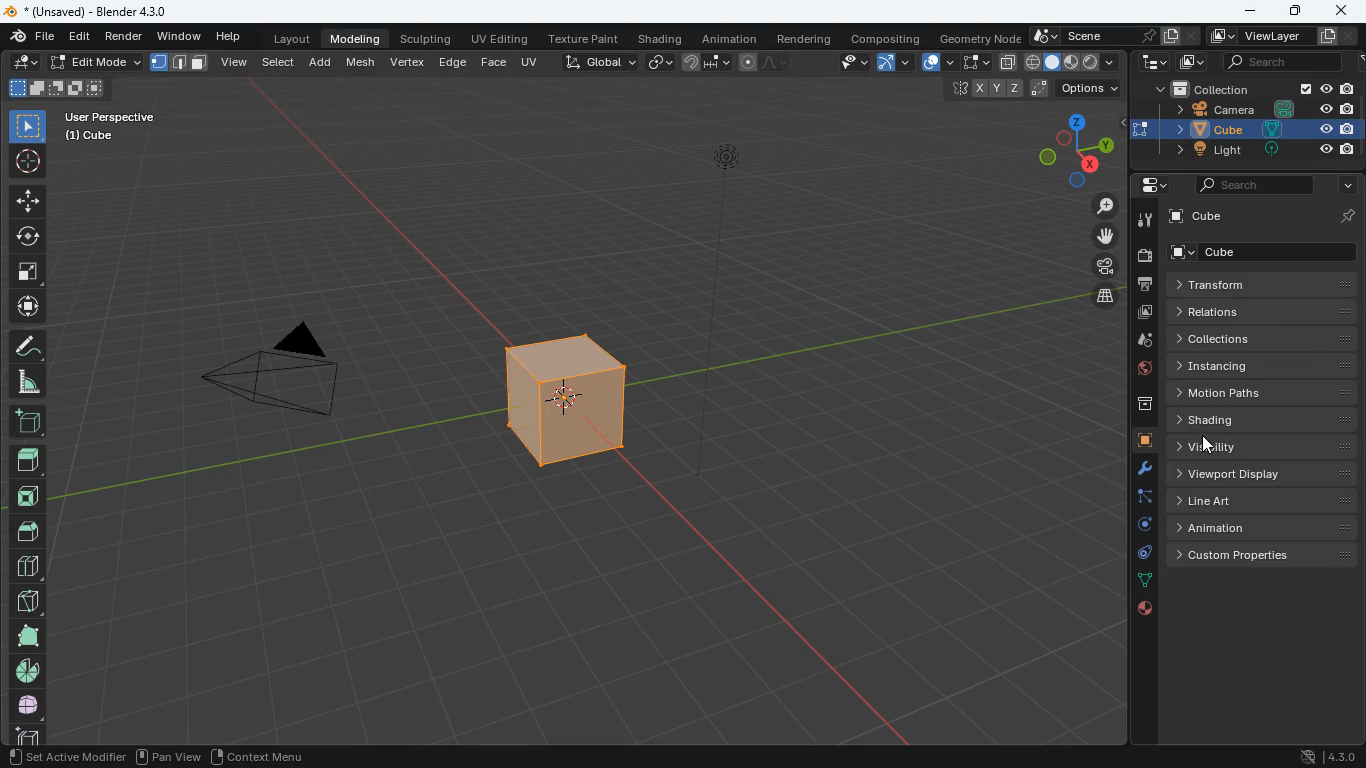 The image size is (1366, 768). Describe the element at coordinates (660, 39) in the screenshot. I see `shading` at that location.